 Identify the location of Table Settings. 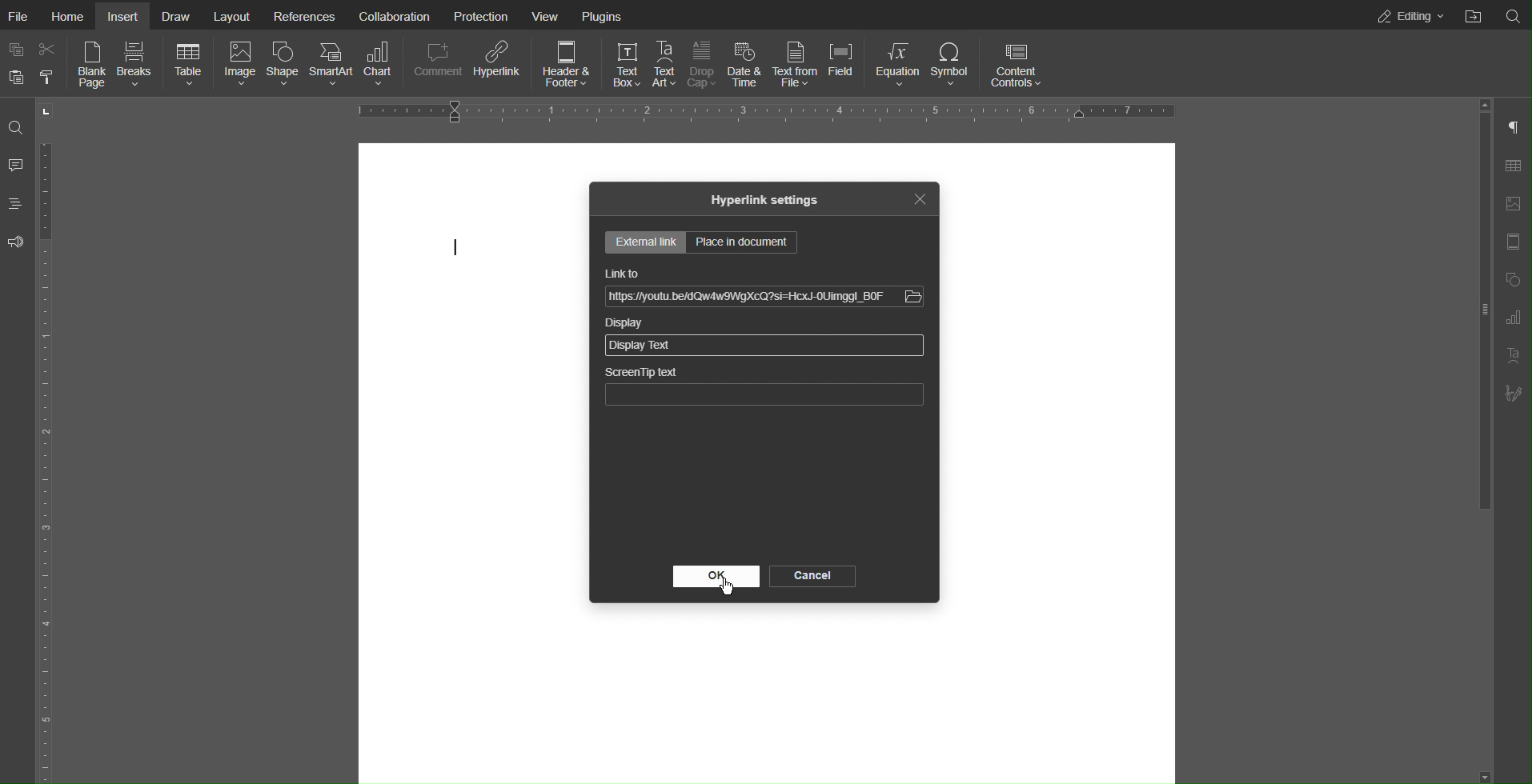
(1512, 164).